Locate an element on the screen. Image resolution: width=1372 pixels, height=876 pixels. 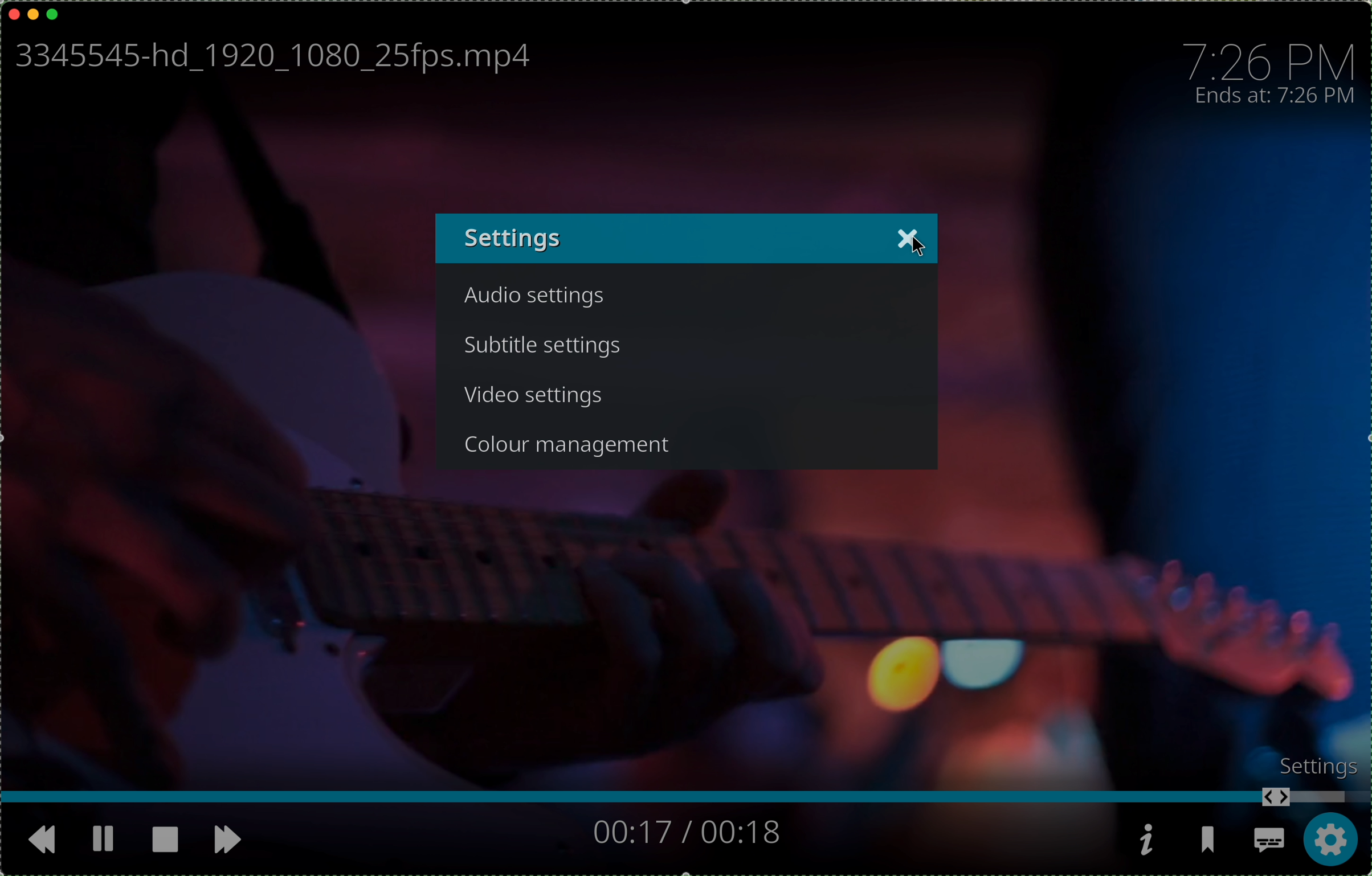
go back is located at coordinates (34, 839).